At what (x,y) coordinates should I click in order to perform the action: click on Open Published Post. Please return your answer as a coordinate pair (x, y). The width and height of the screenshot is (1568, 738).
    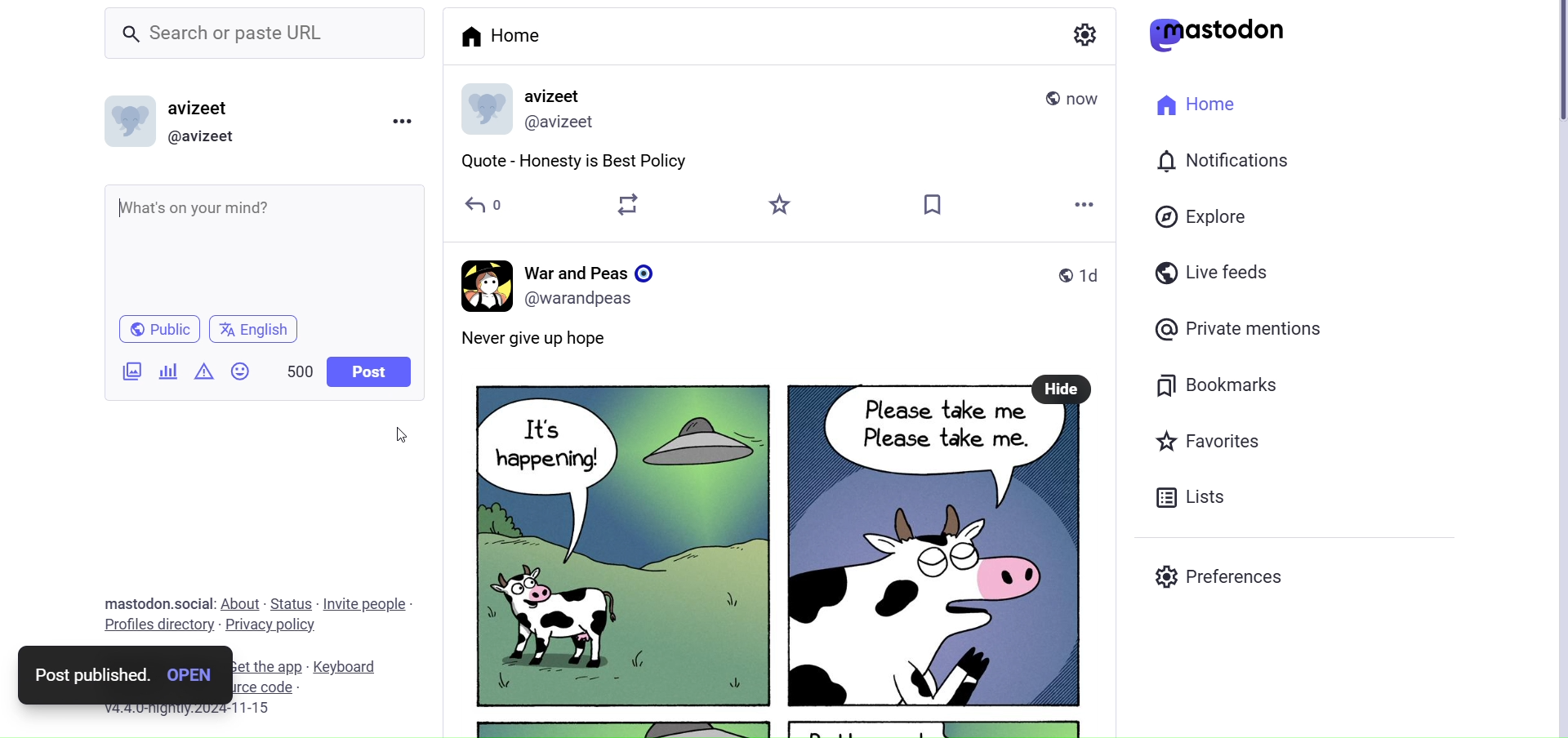
    Looking at the image, I should click on (191, 675).